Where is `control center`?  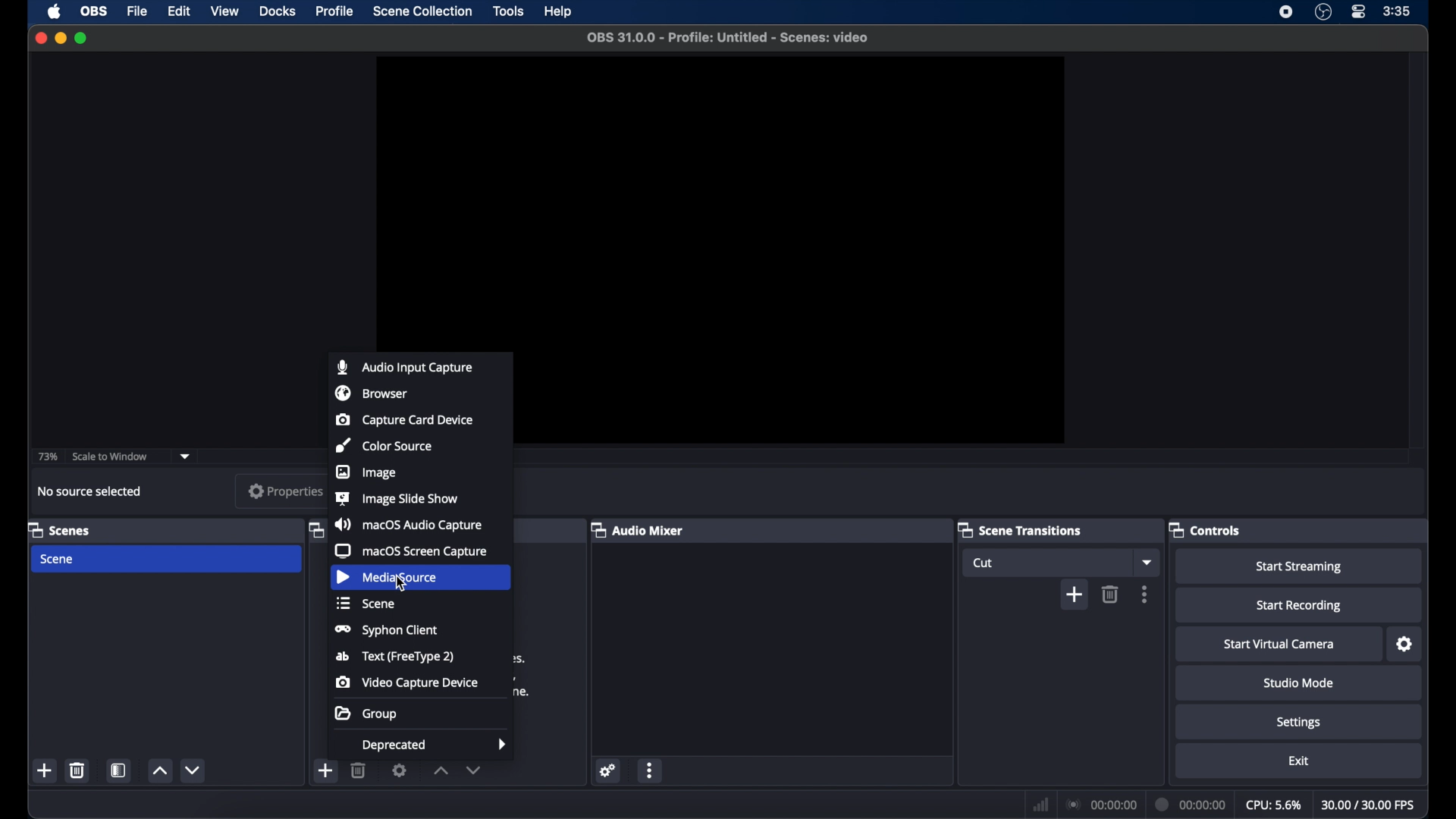
control center is located at coordinates (1360, 12).